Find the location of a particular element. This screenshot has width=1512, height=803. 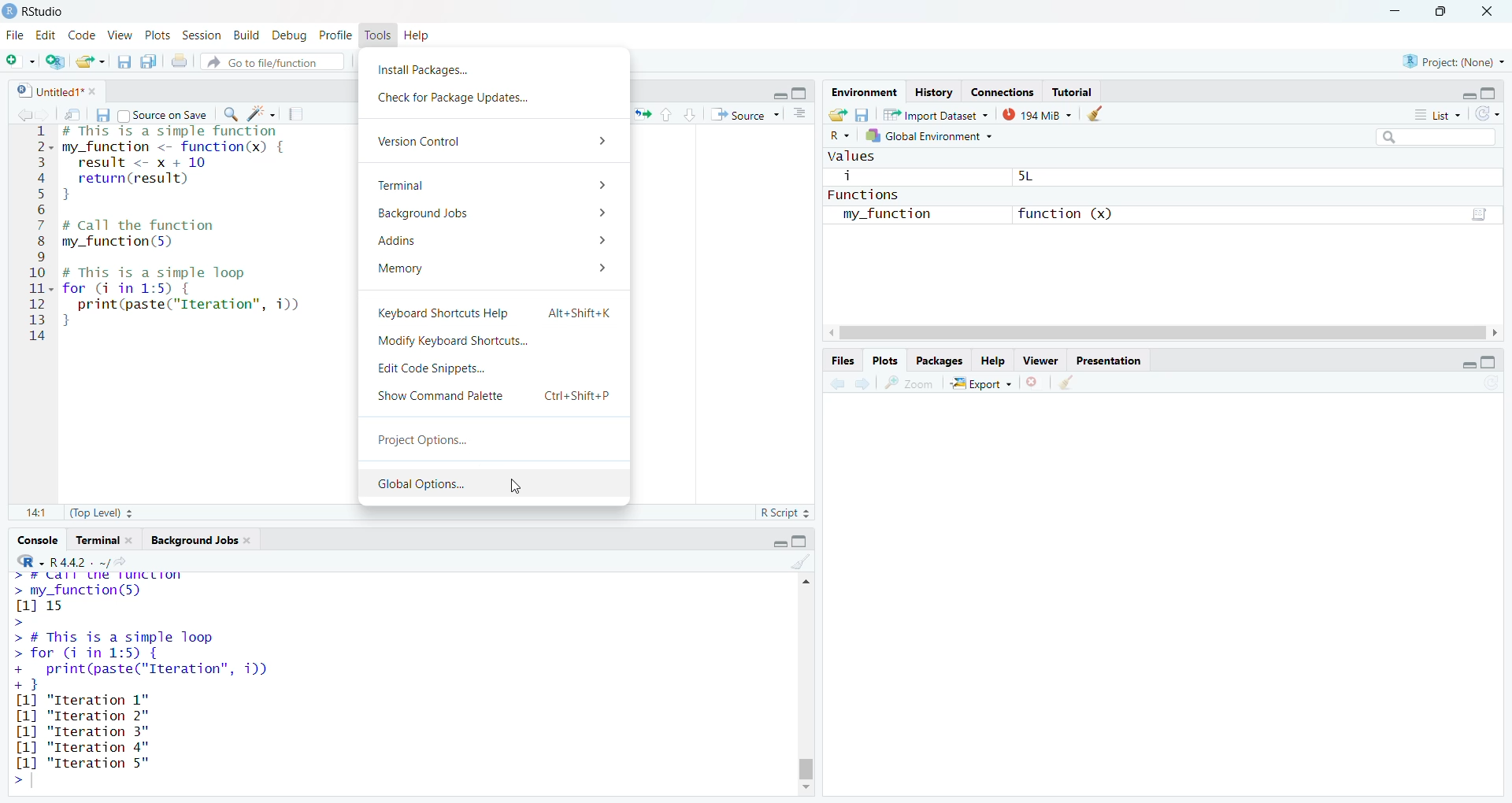

new file is located at coordinates (20, 58).